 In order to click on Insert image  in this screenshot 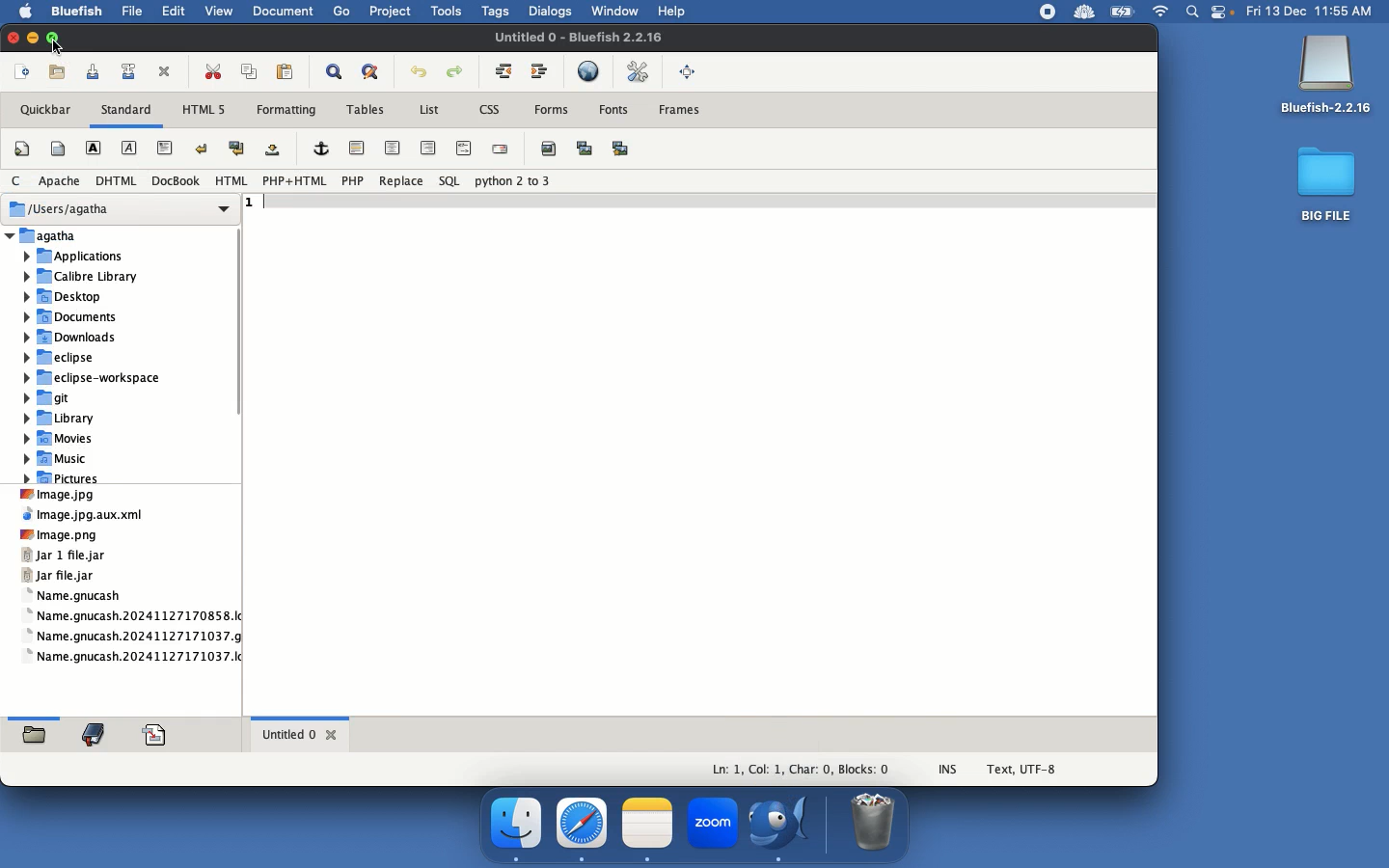, I will do `click(550, 148)`.